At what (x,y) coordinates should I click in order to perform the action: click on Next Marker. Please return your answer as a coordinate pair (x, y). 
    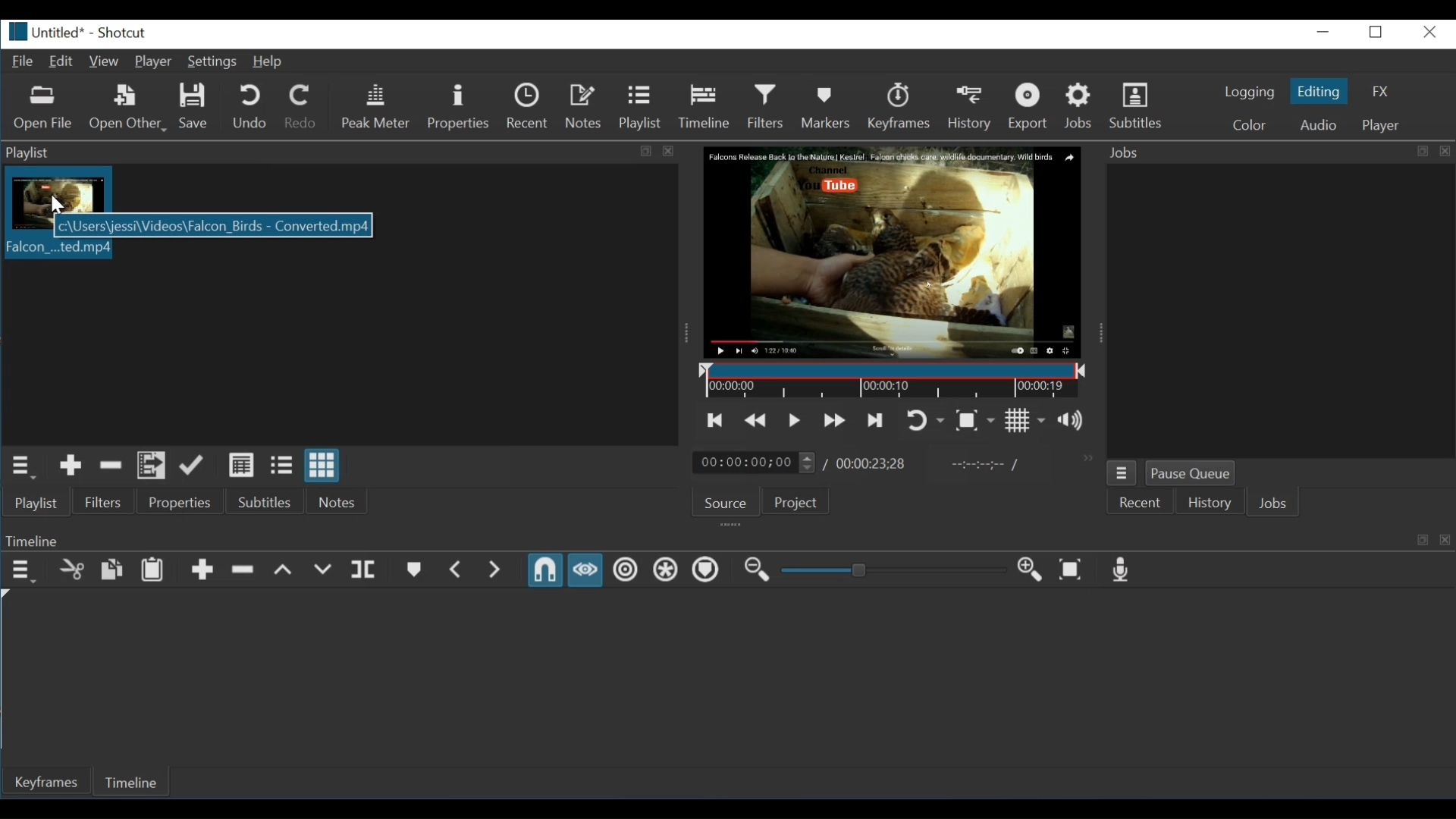
    Looking at the image, I should click on (497, 570).